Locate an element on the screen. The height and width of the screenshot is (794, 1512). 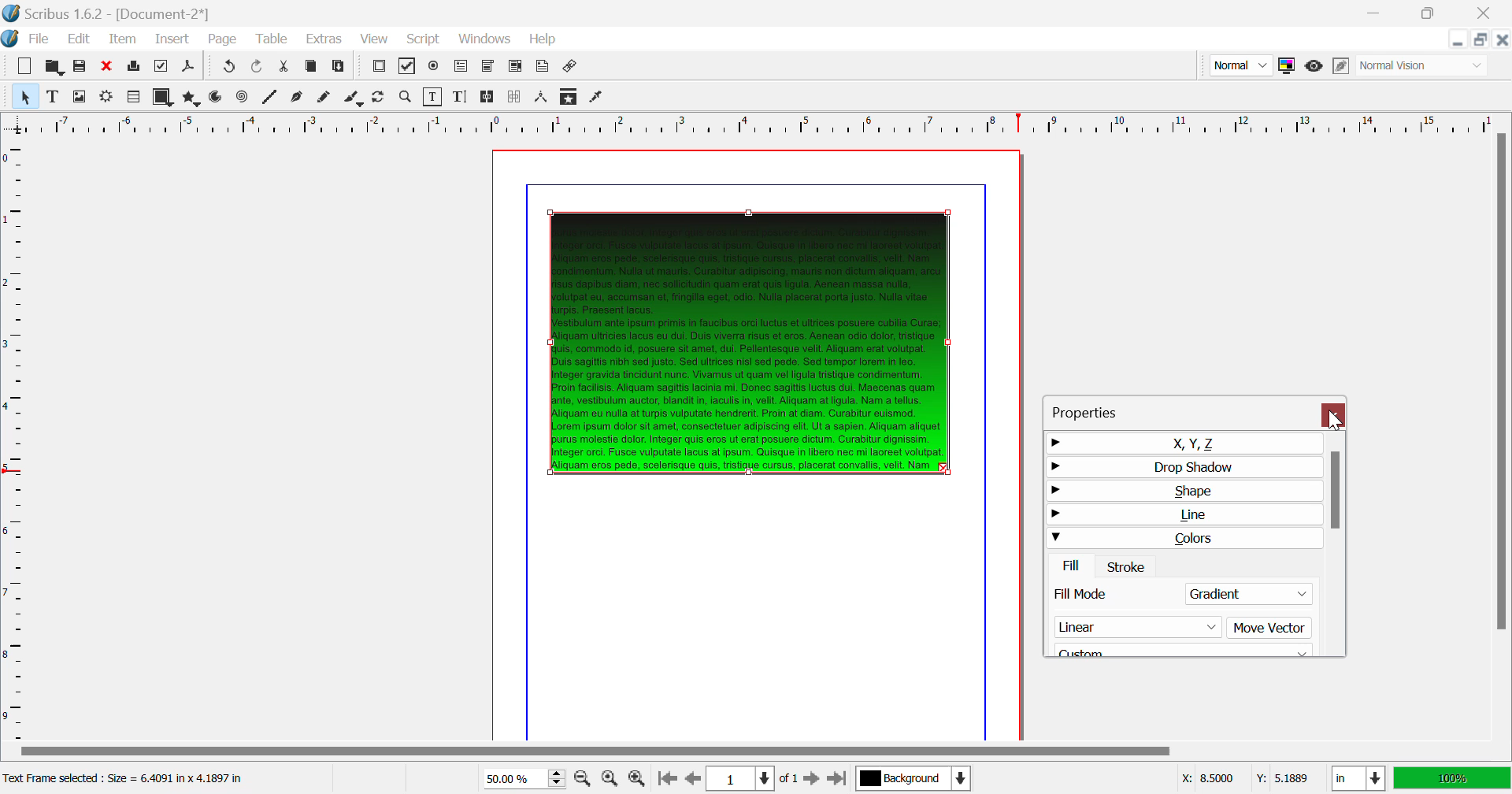
Page Rotation is located at coordinates (382, 98).